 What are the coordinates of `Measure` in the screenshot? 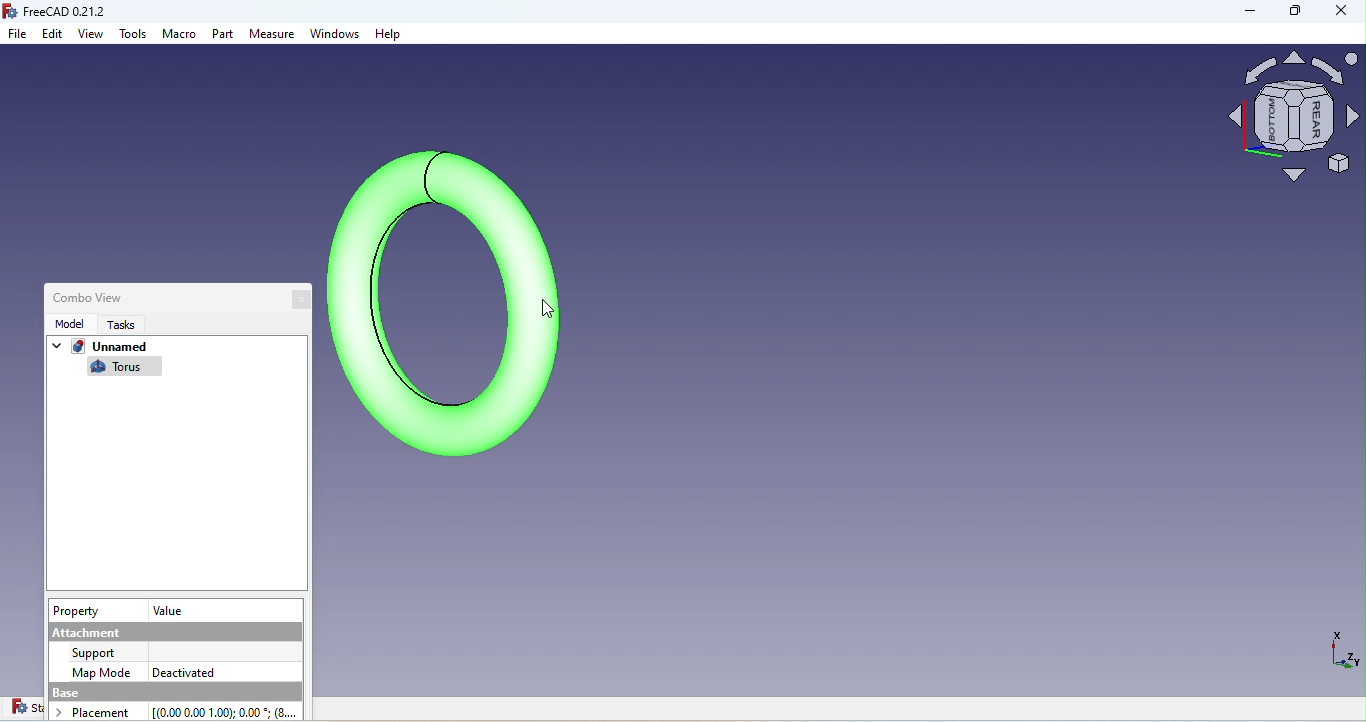 It's located at (273, 35).